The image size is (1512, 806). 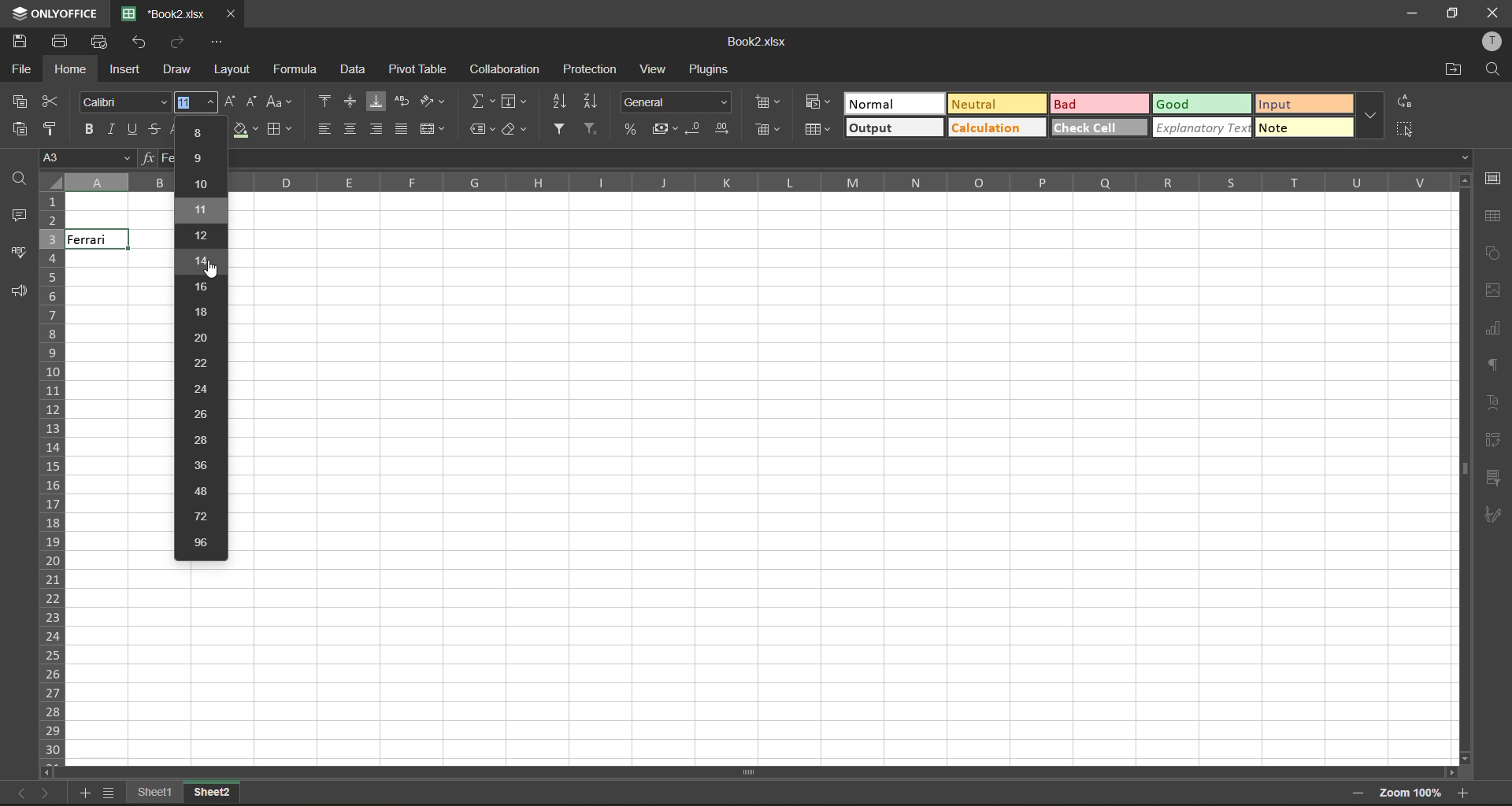 I want to click on clear filter, so click(x=591, y=128).